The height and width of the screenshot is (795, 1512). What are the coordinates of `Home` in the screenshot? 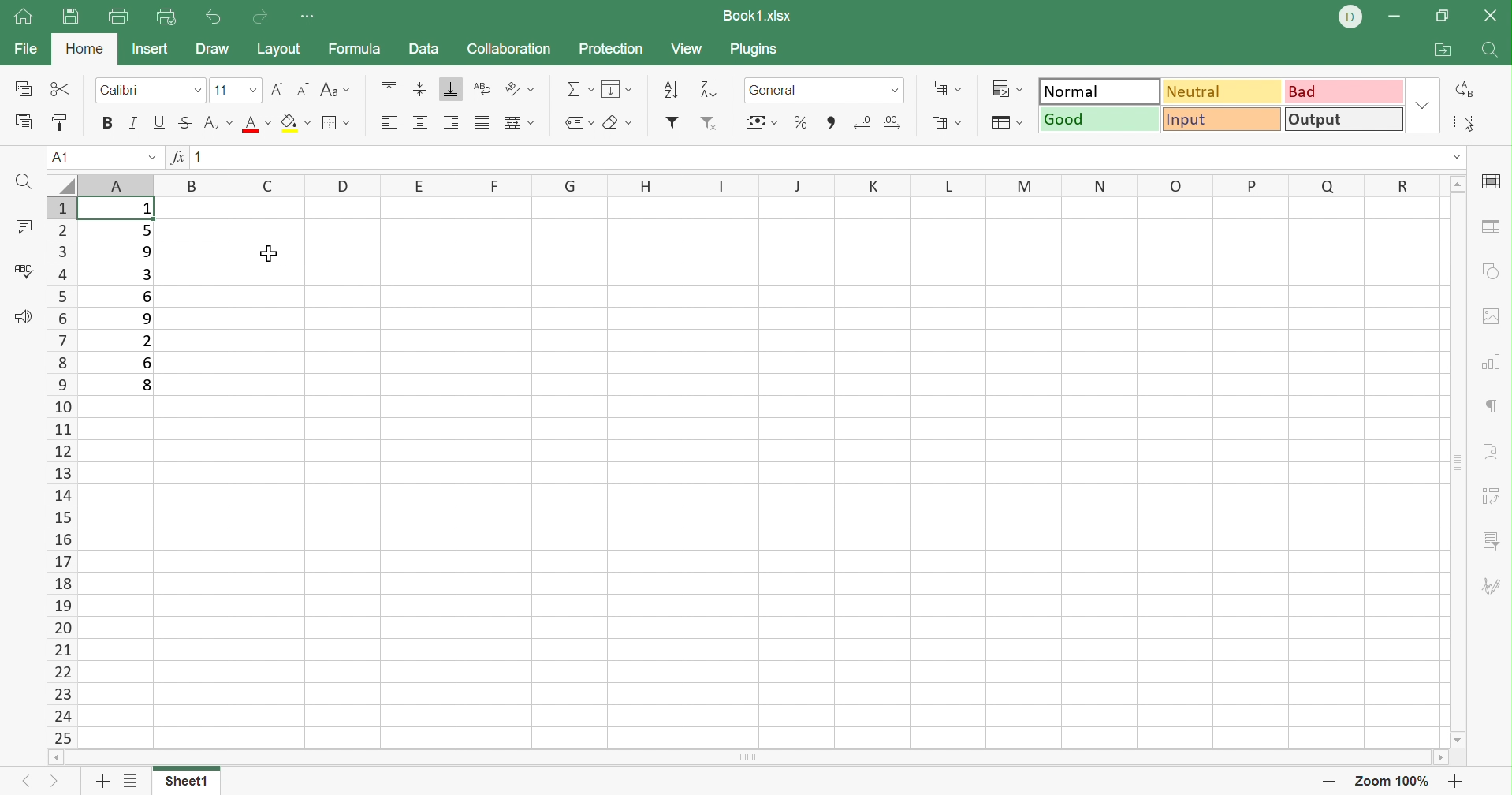 It's located at (25, 19).